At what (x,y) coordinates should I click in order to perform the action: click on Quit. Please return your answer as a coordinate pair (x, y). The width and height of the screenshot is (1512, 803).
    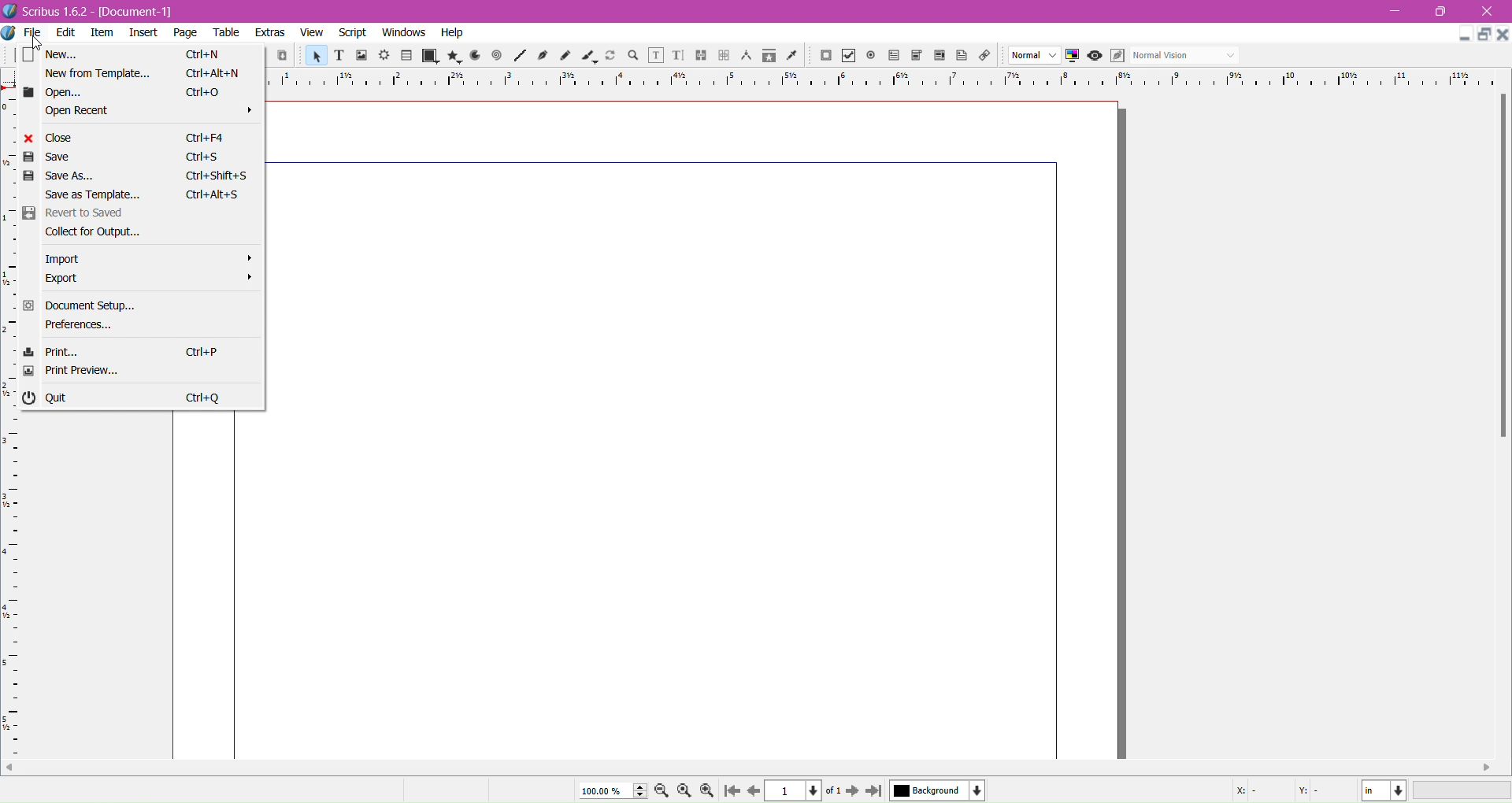
    Looking at the image, I should click on (125, 398).